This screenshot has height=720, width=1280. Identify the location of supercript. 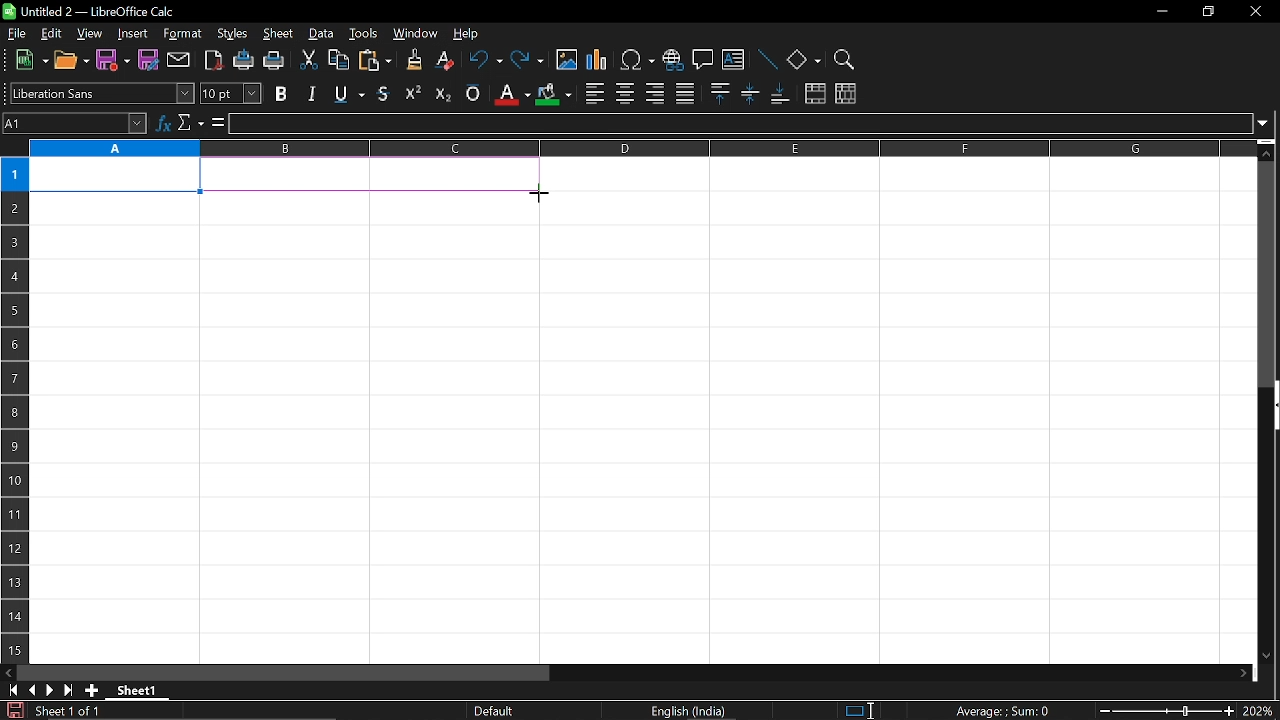
(413, 93).